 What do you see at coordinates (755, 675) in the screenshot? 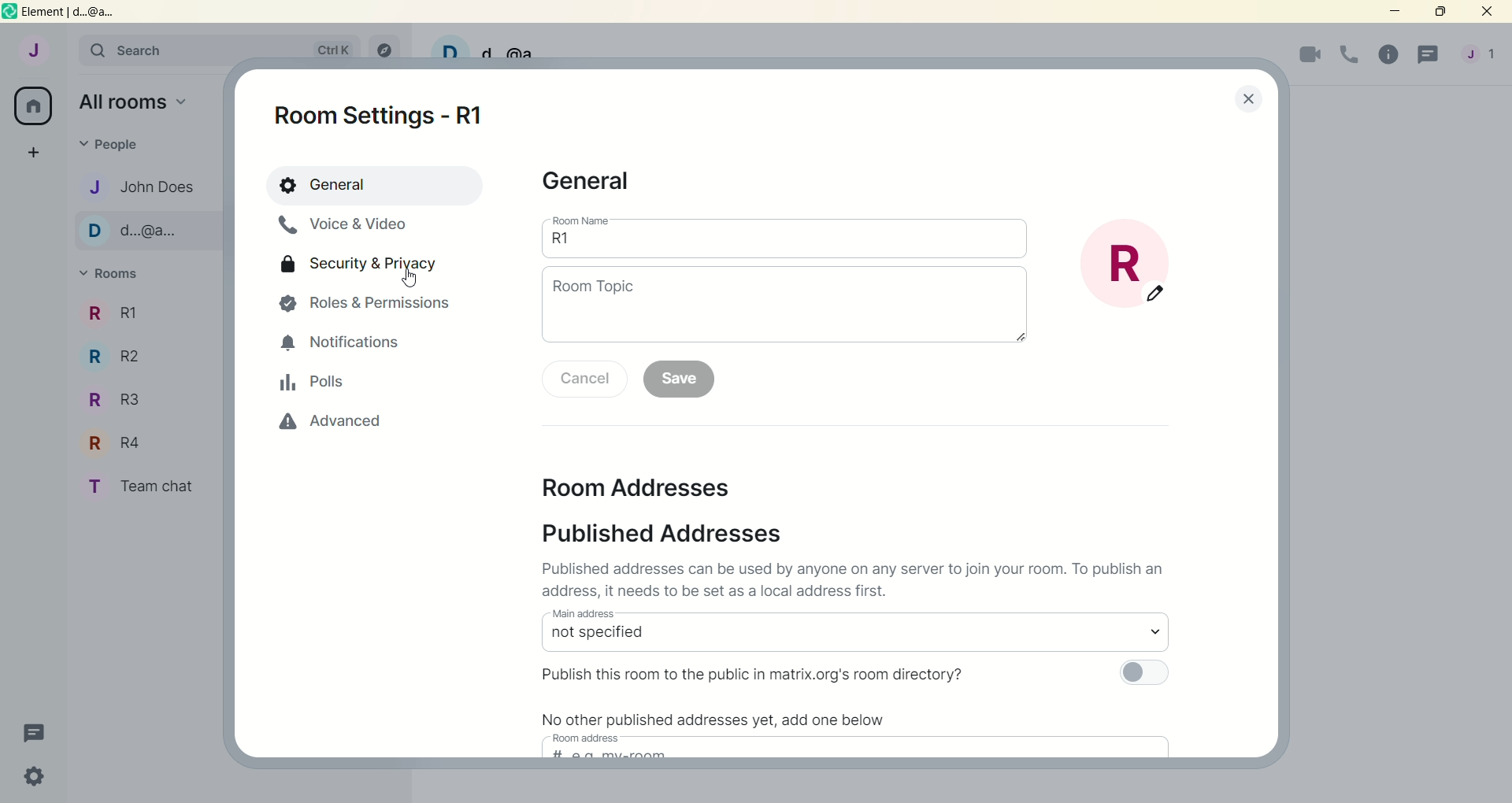
I see `Publish this room to the public in matrix.org's room directory?` at bounding box center [755, 675].